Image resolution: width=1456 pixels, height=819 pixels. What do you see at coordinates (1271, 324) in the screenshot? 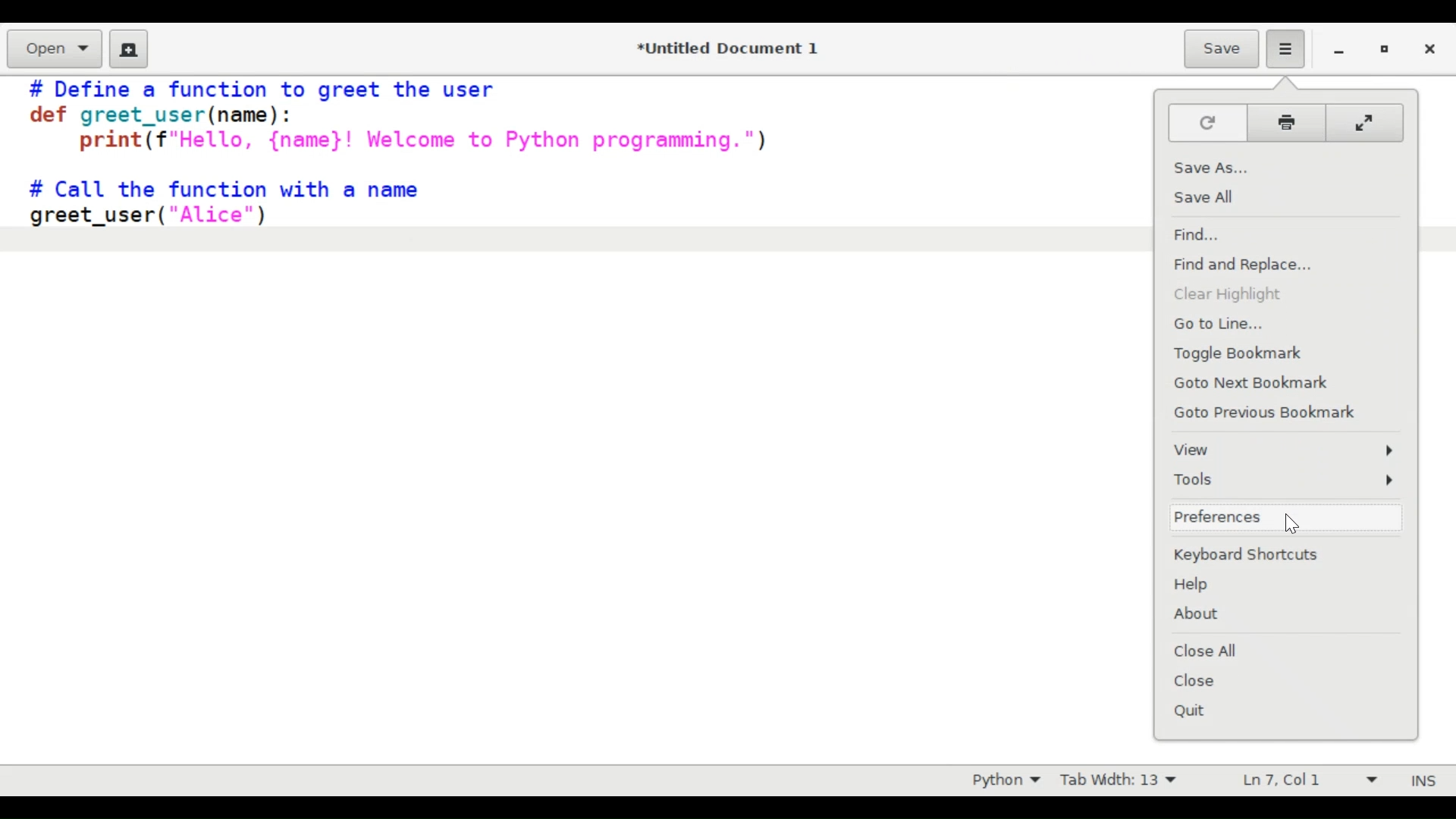
I see `Go to Line` at bounding box center [1271, 324].